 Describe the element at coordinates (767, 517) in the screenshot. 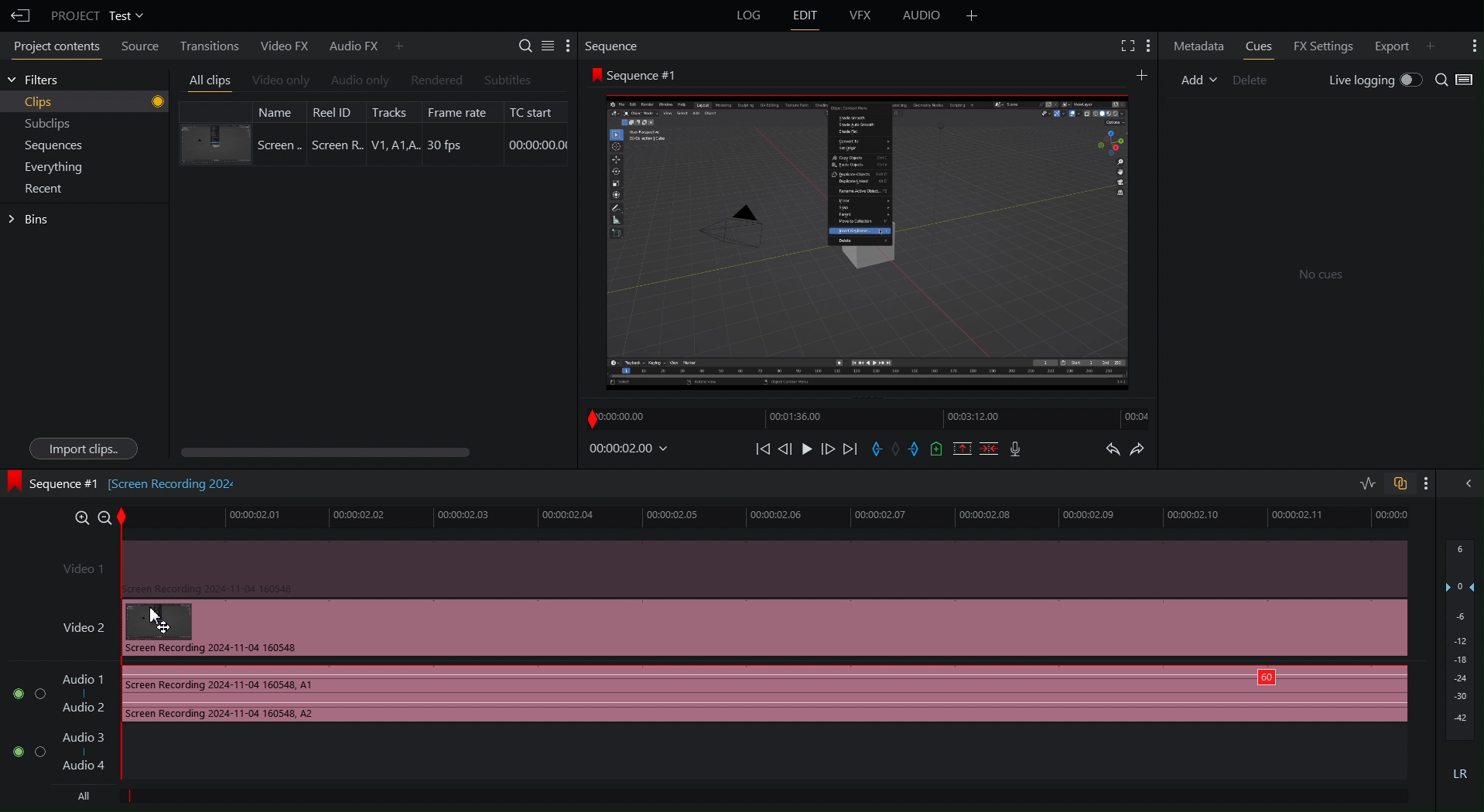

I see `Timeline` at that location.